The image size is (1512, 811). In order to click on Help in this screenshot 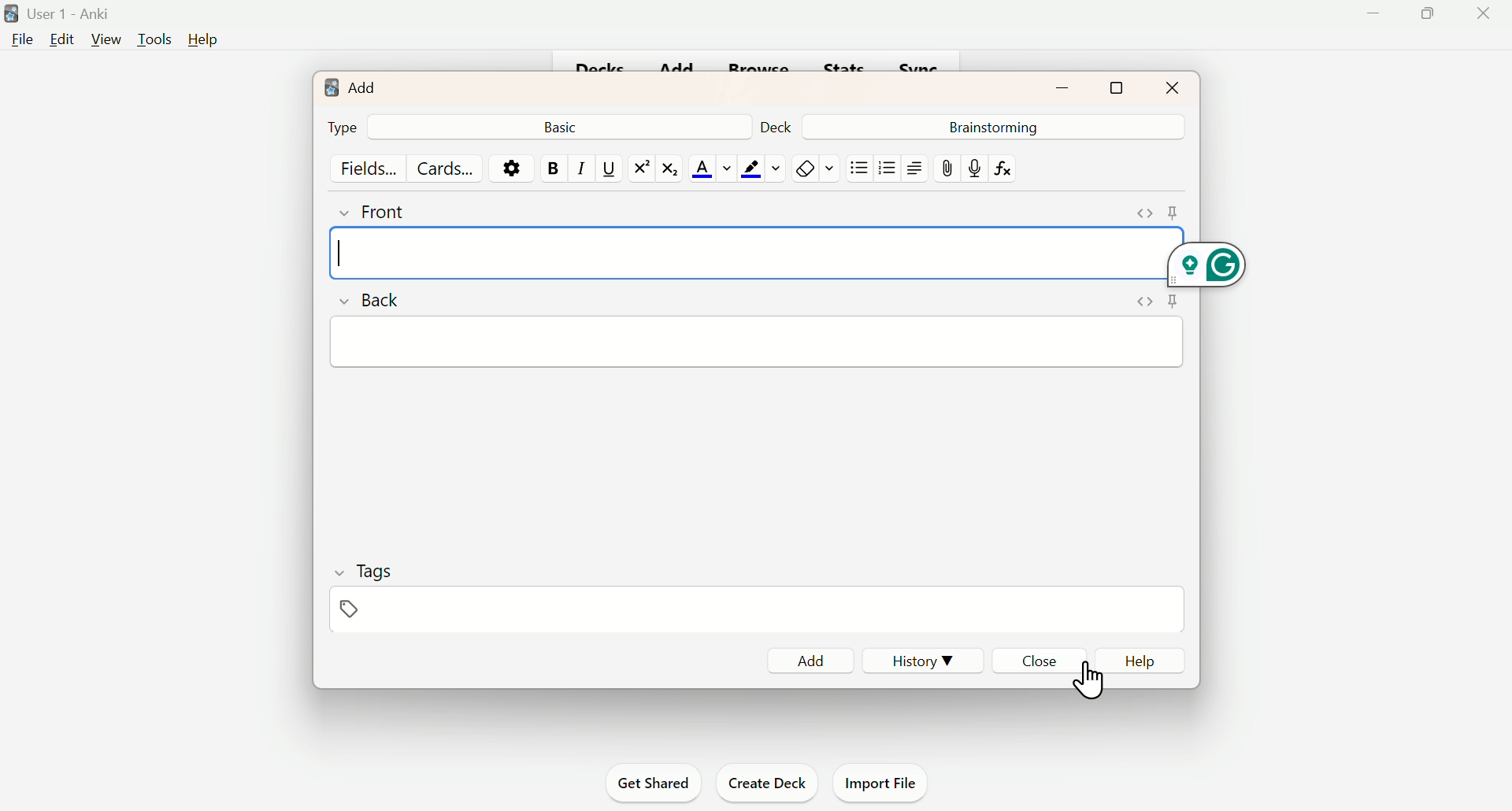, I will do `click(1147, 661)`.